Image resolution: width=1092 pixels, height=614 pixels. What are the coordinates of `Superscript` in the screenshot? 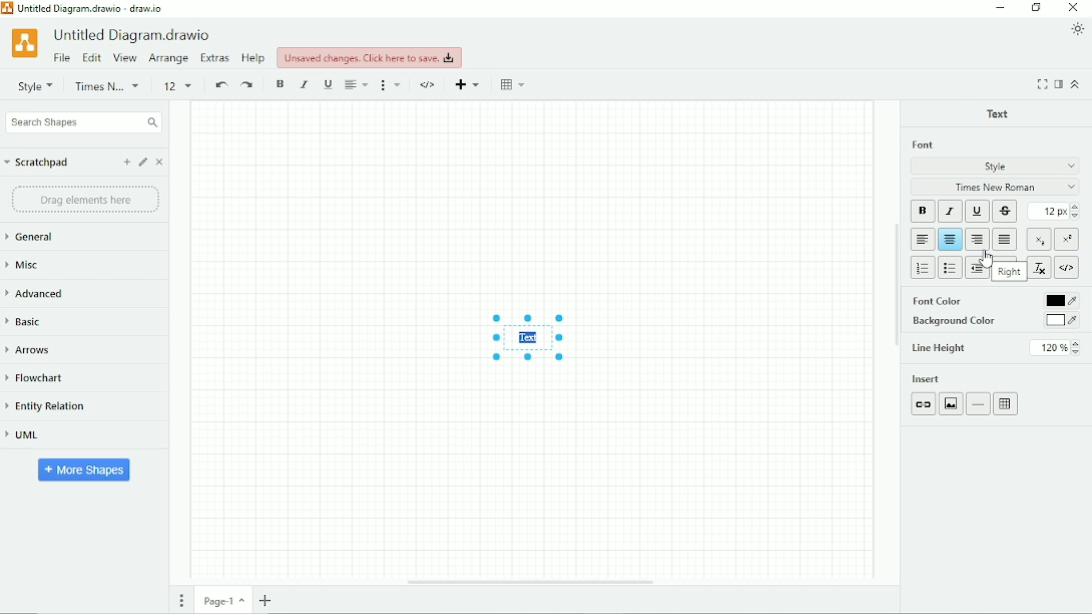 It's located at (1066, 240).